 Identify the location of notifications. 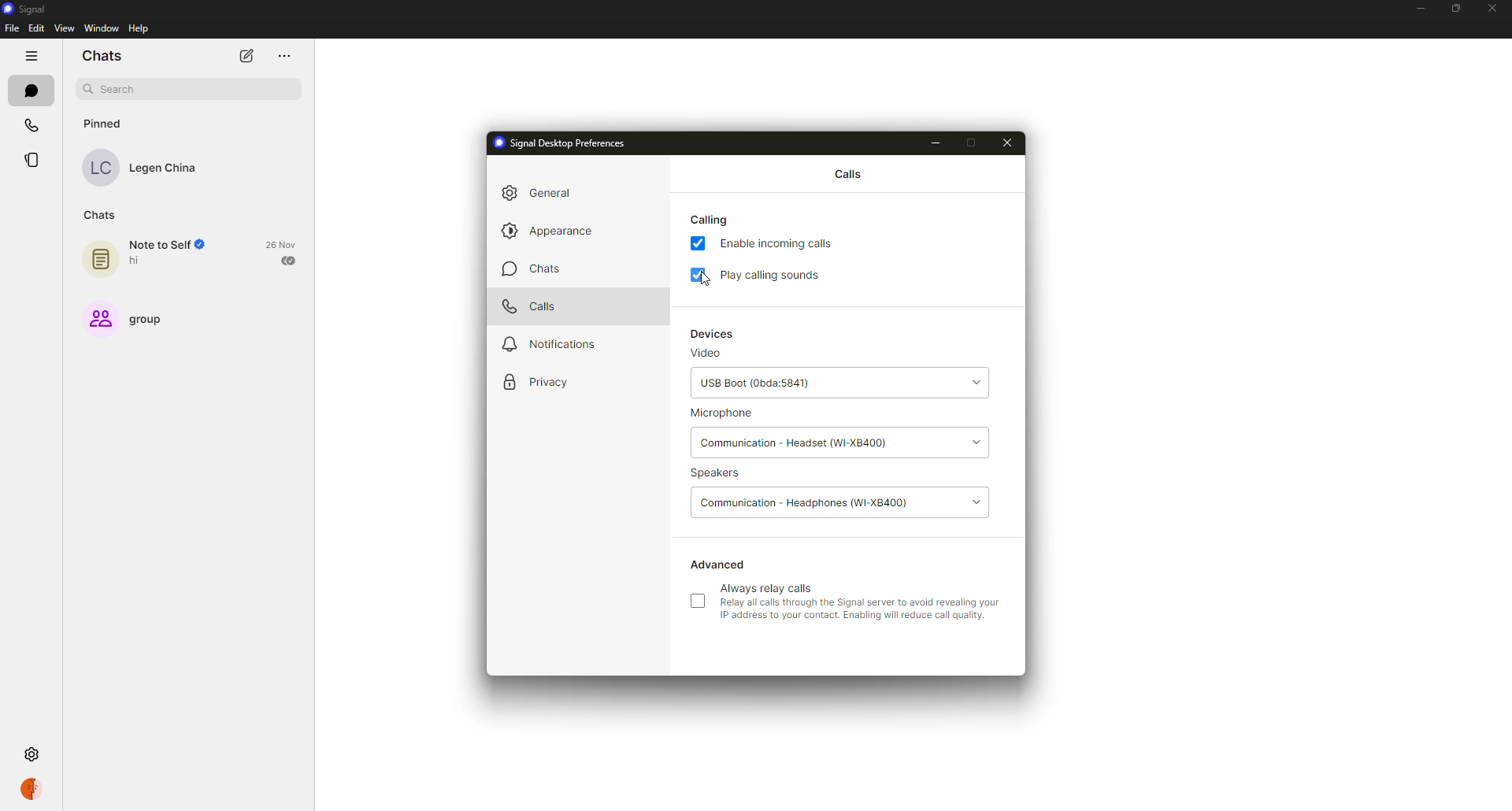
(561, 343).